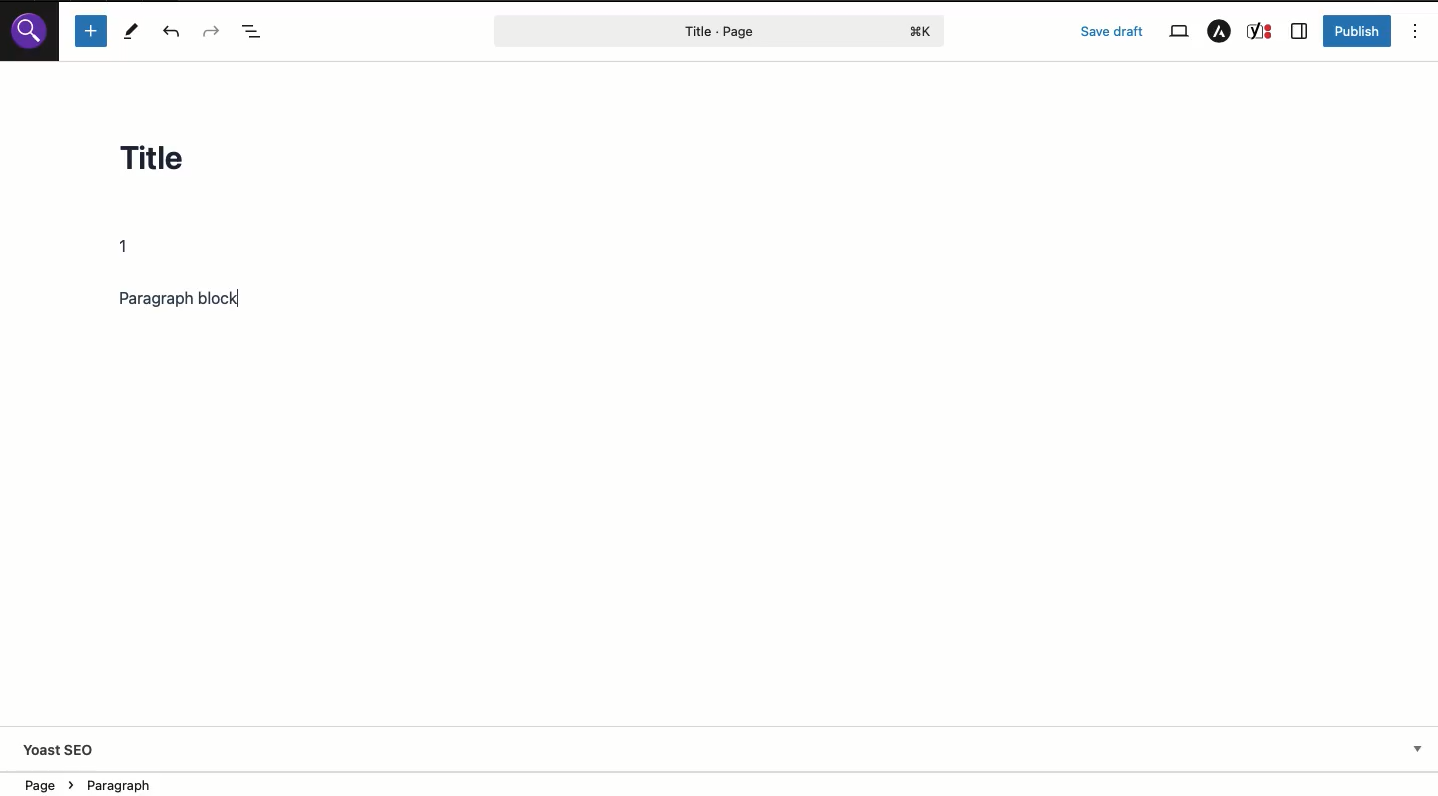  Describe the element at coordinates (131, 247) in the screenshot. I see `Text` at that location.